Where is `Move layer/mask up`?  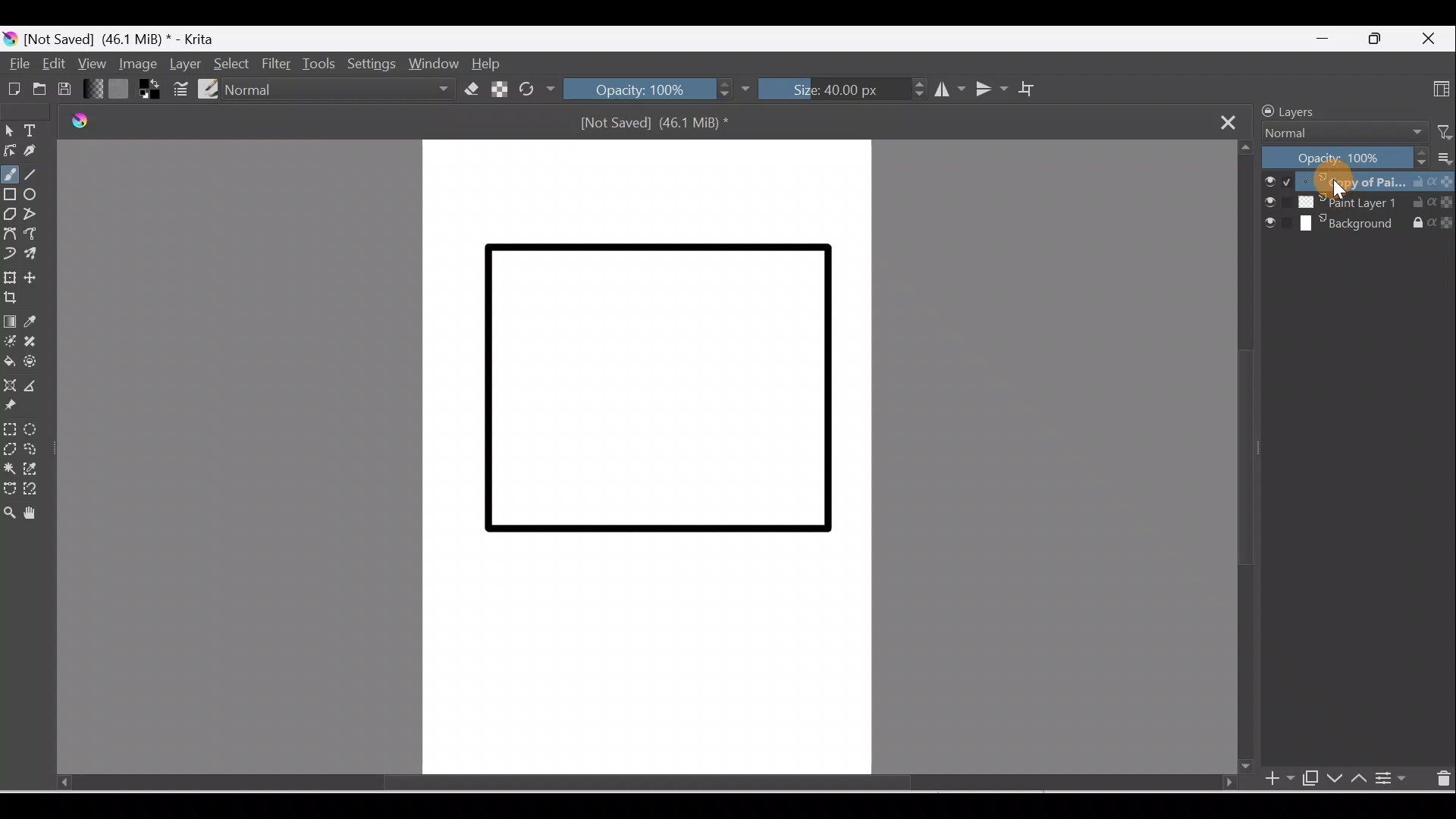
Move layer/mask up is located at coordinates (1362, 780).